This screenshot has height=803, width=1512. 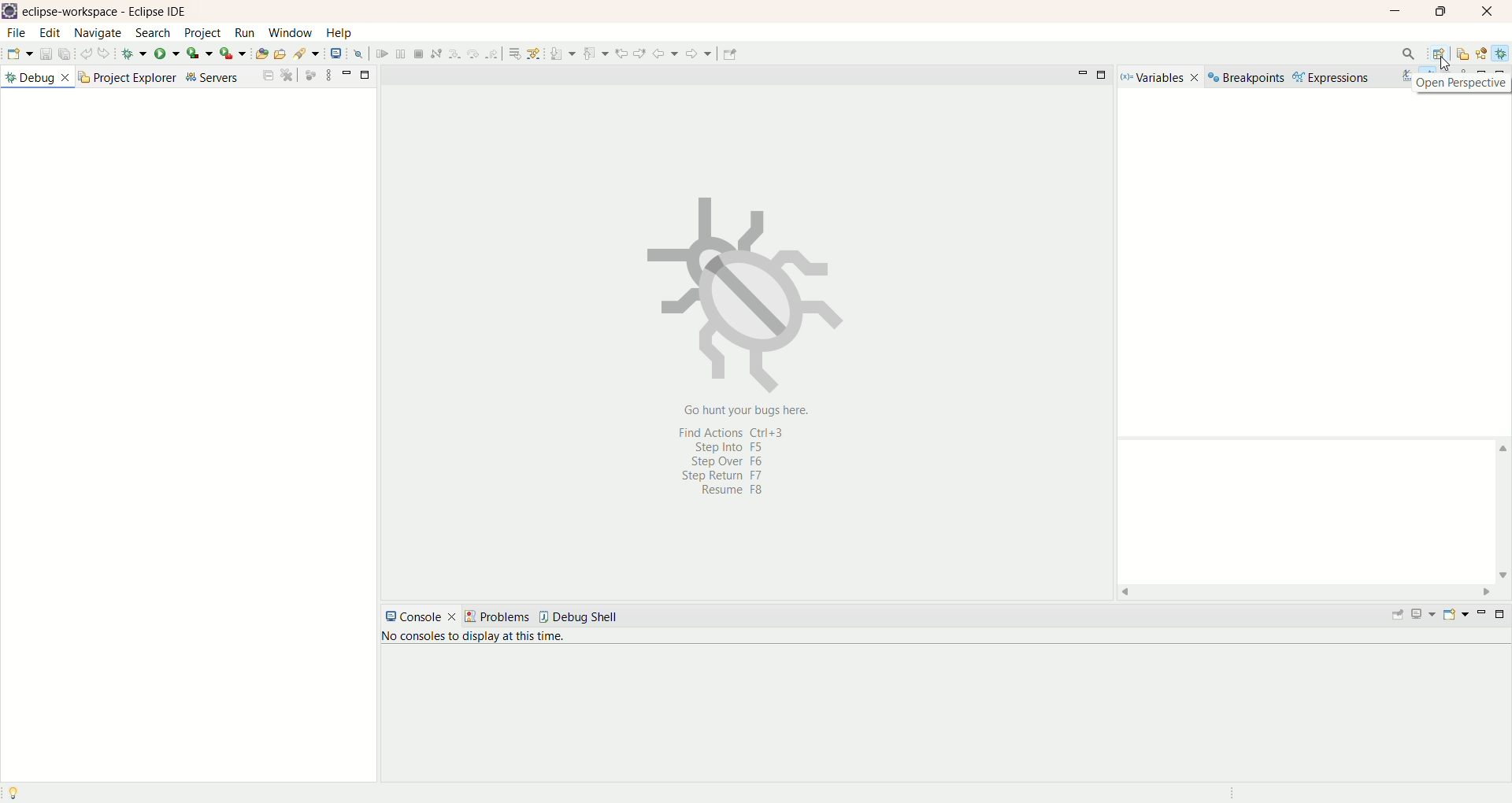 I want to click on next annotation, so click(x=675, y=55).